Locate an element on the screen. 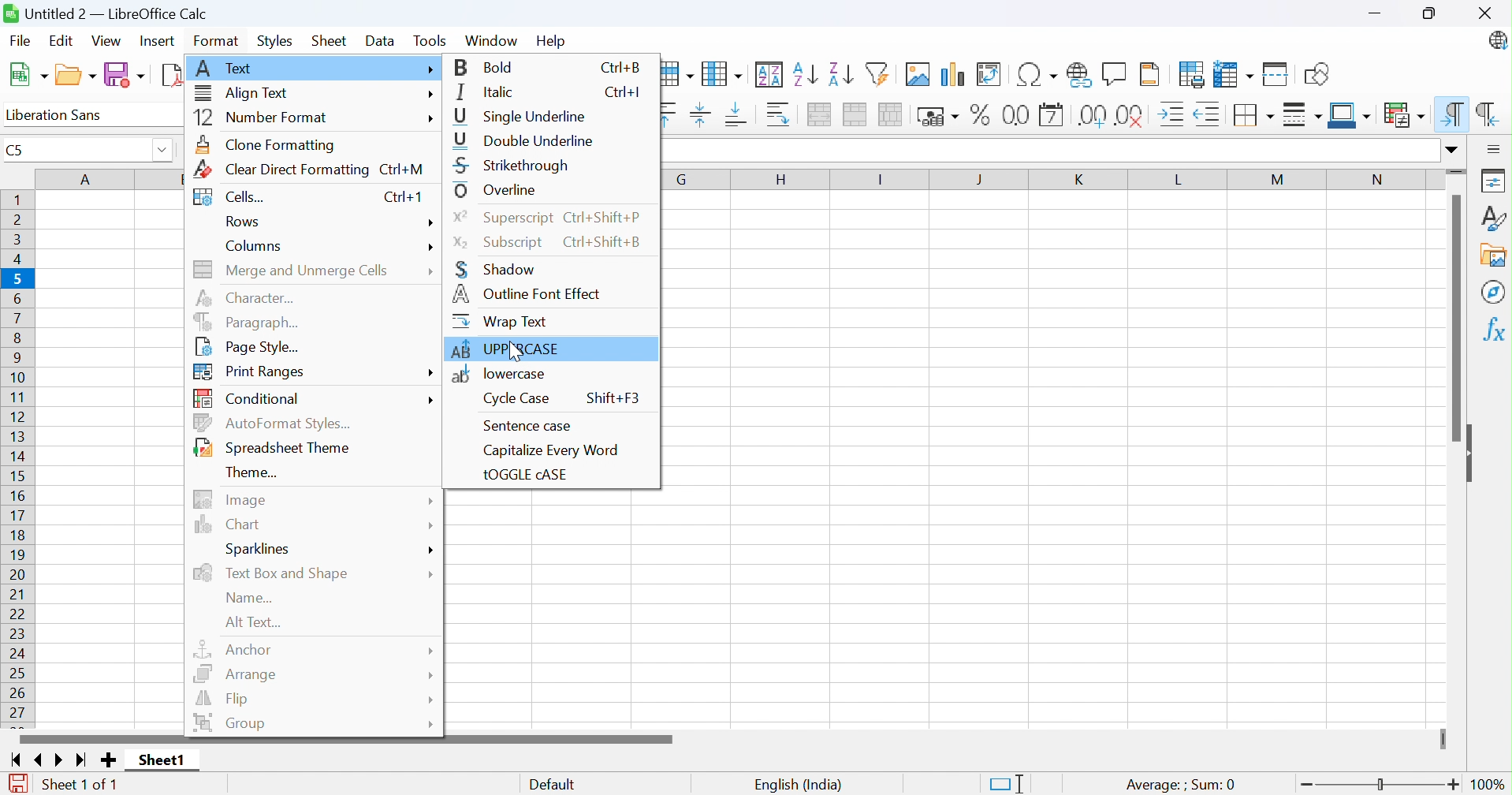 Image resolution: width=1512 pixels, height=795 pixels. More is located at coordinates (431, 371).